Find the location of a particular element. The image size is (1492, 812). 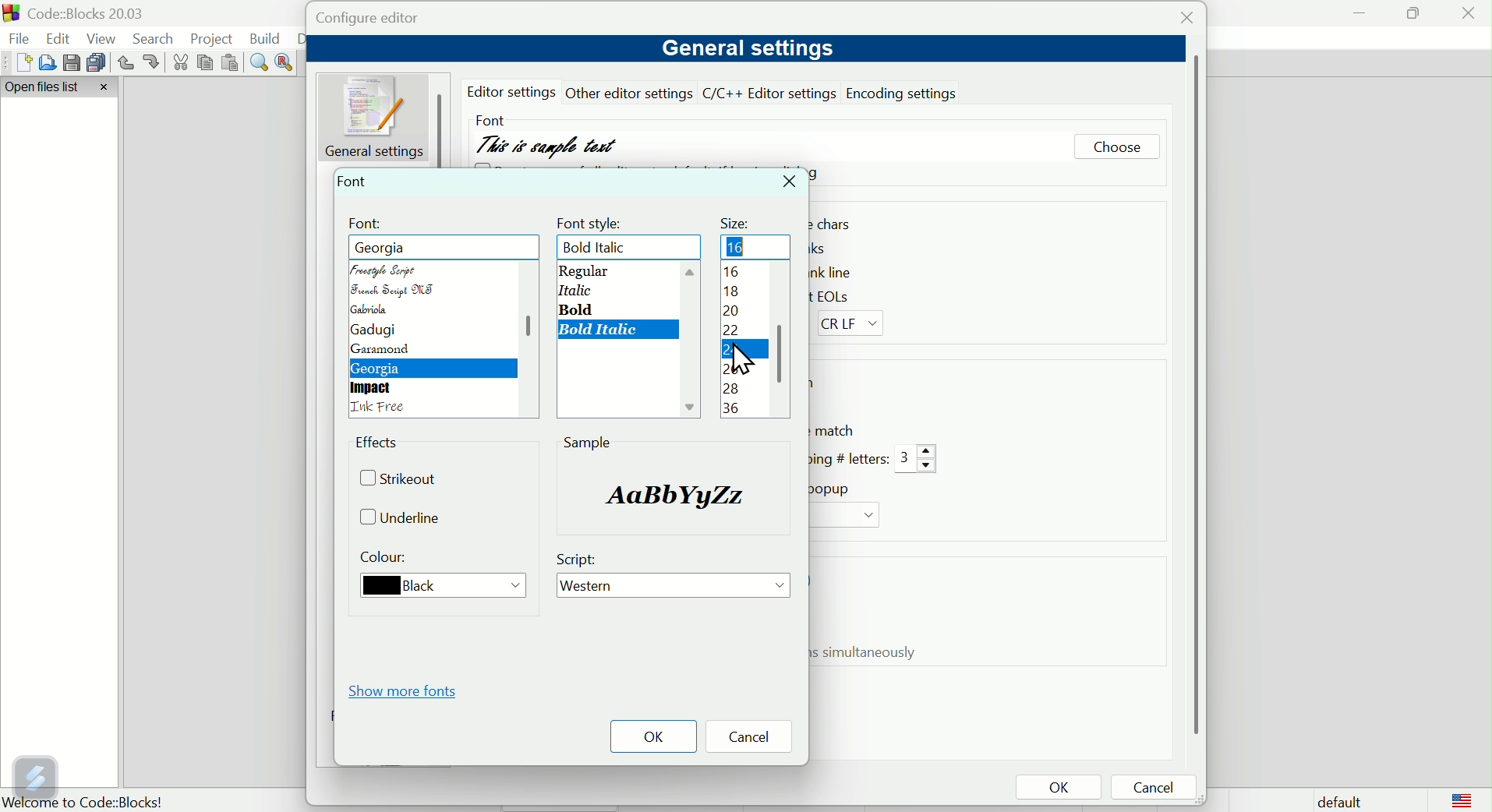

20 is located at coordinates (731, 312).